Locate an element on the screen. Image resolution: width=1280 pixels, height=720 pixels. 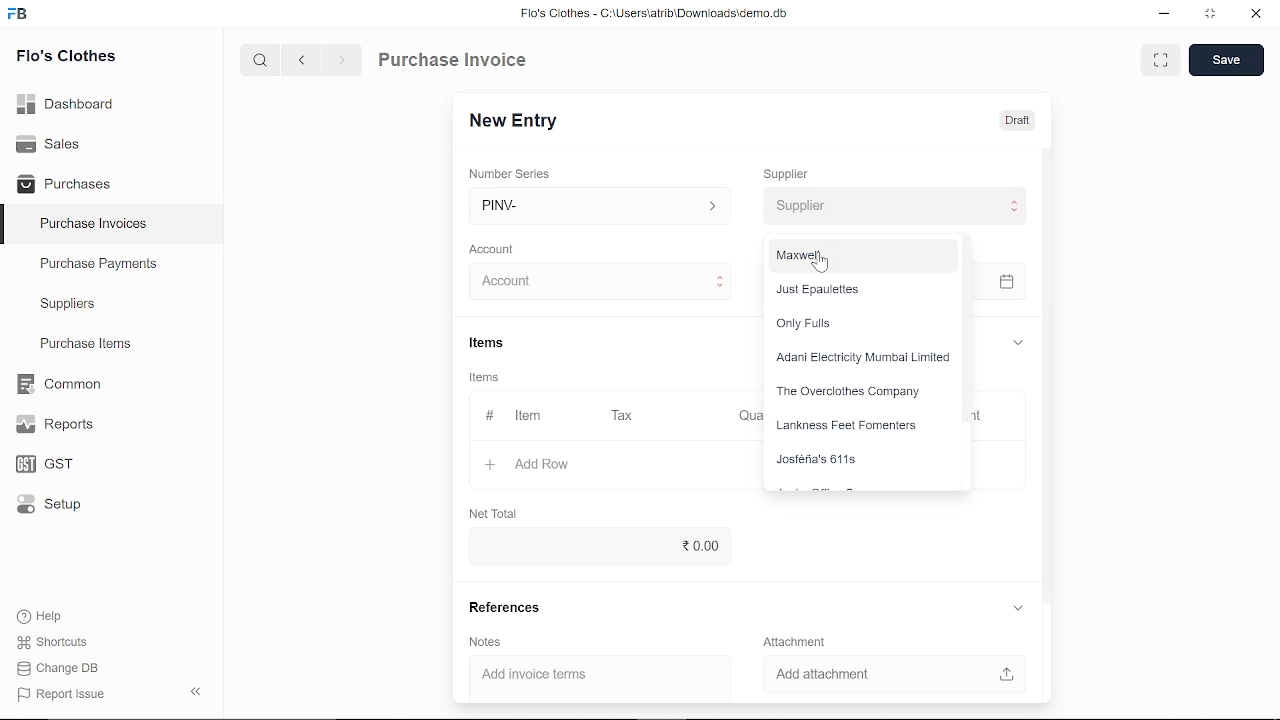
input Account is located at coordinates (594, 282).